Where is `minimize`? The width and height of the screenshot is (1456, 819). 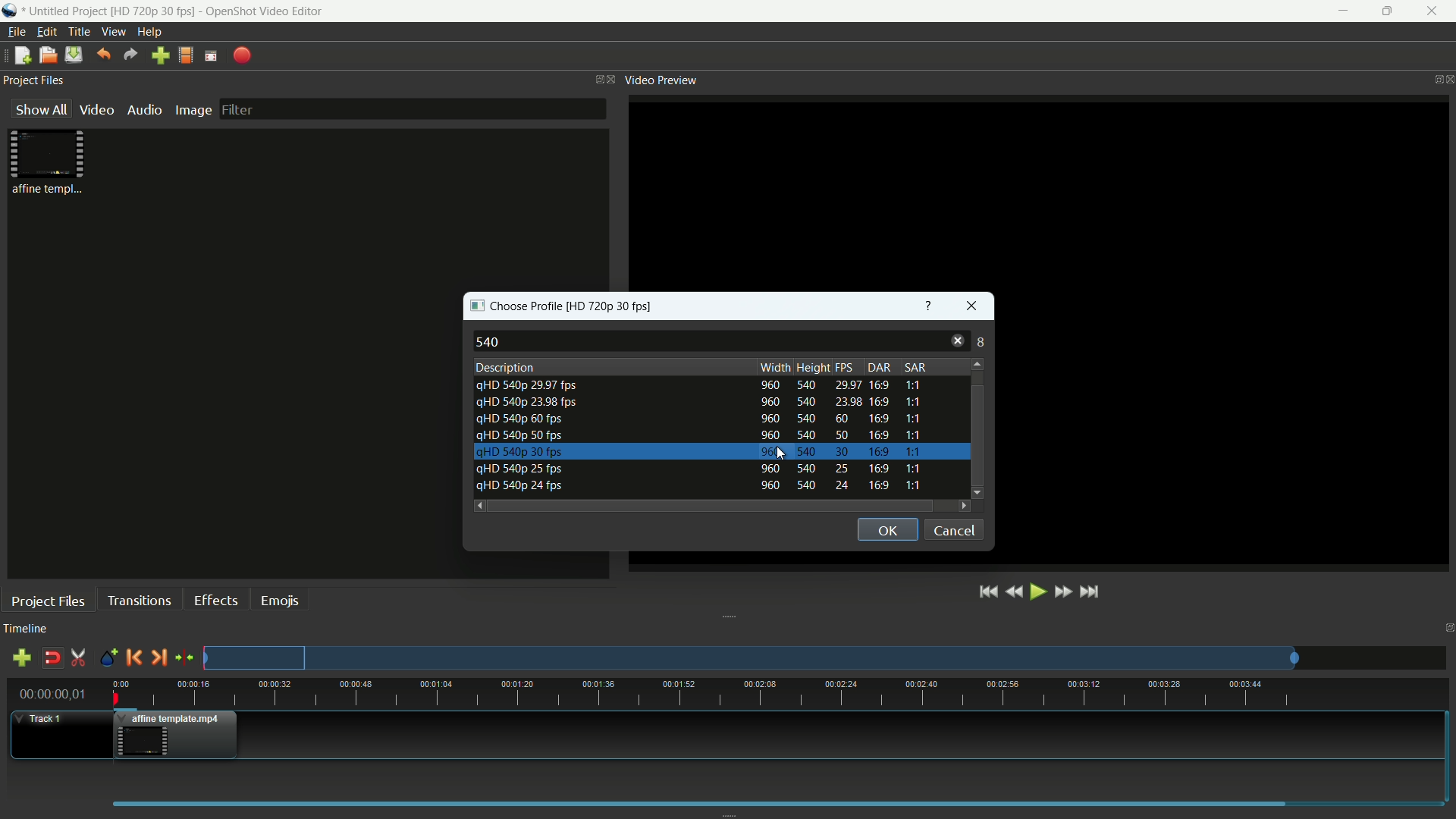
minimize is located at coordinates (1341, 11).